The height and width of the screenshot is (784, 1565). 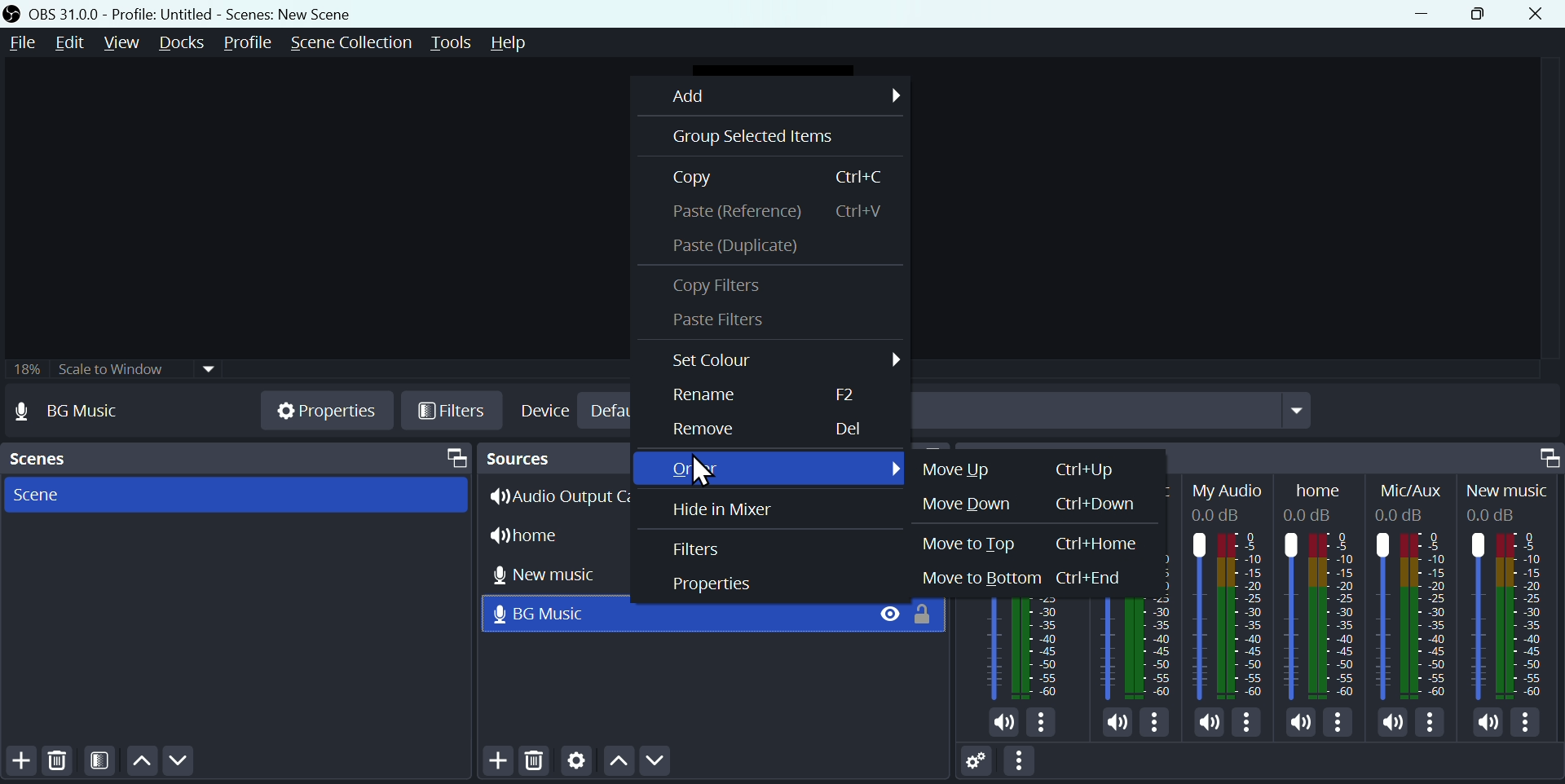 I want to click on Mute /Unmute, so click(x=1487, y=723).